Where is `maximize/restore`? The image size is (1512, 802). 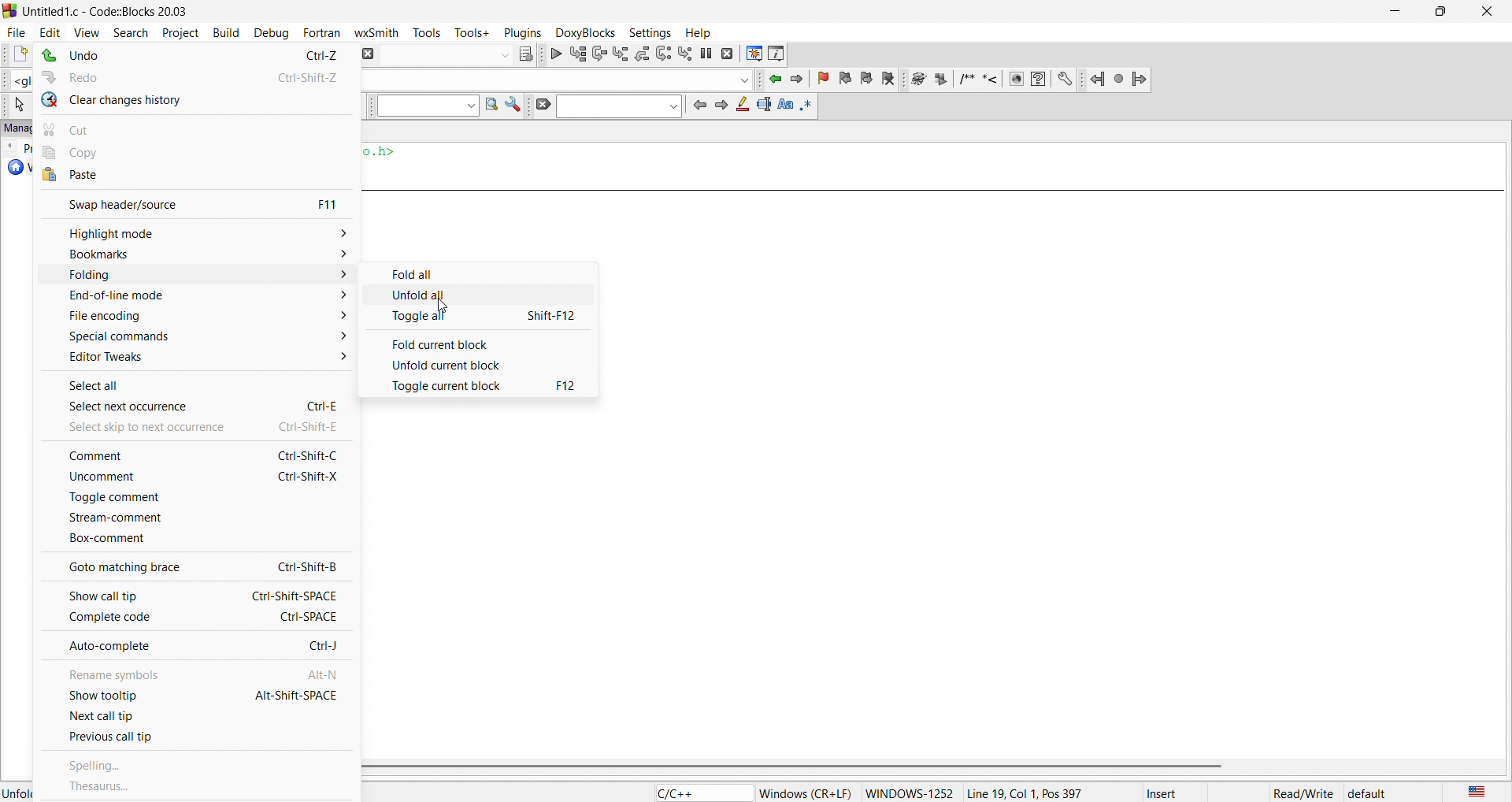 maximize/restore is located at coordinates (1436, 13).